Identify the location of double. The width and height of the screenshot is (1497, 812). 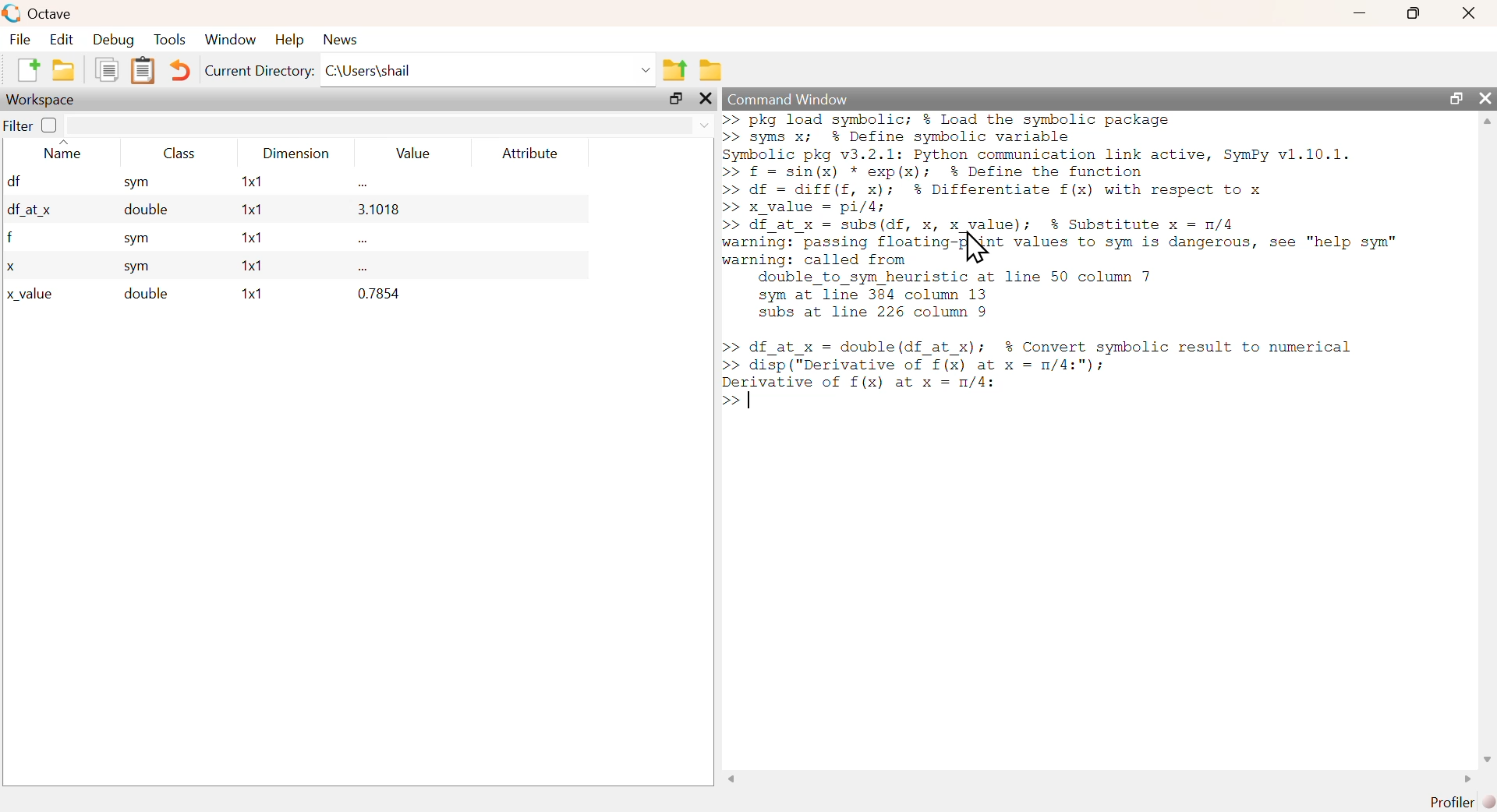
(140, 212).